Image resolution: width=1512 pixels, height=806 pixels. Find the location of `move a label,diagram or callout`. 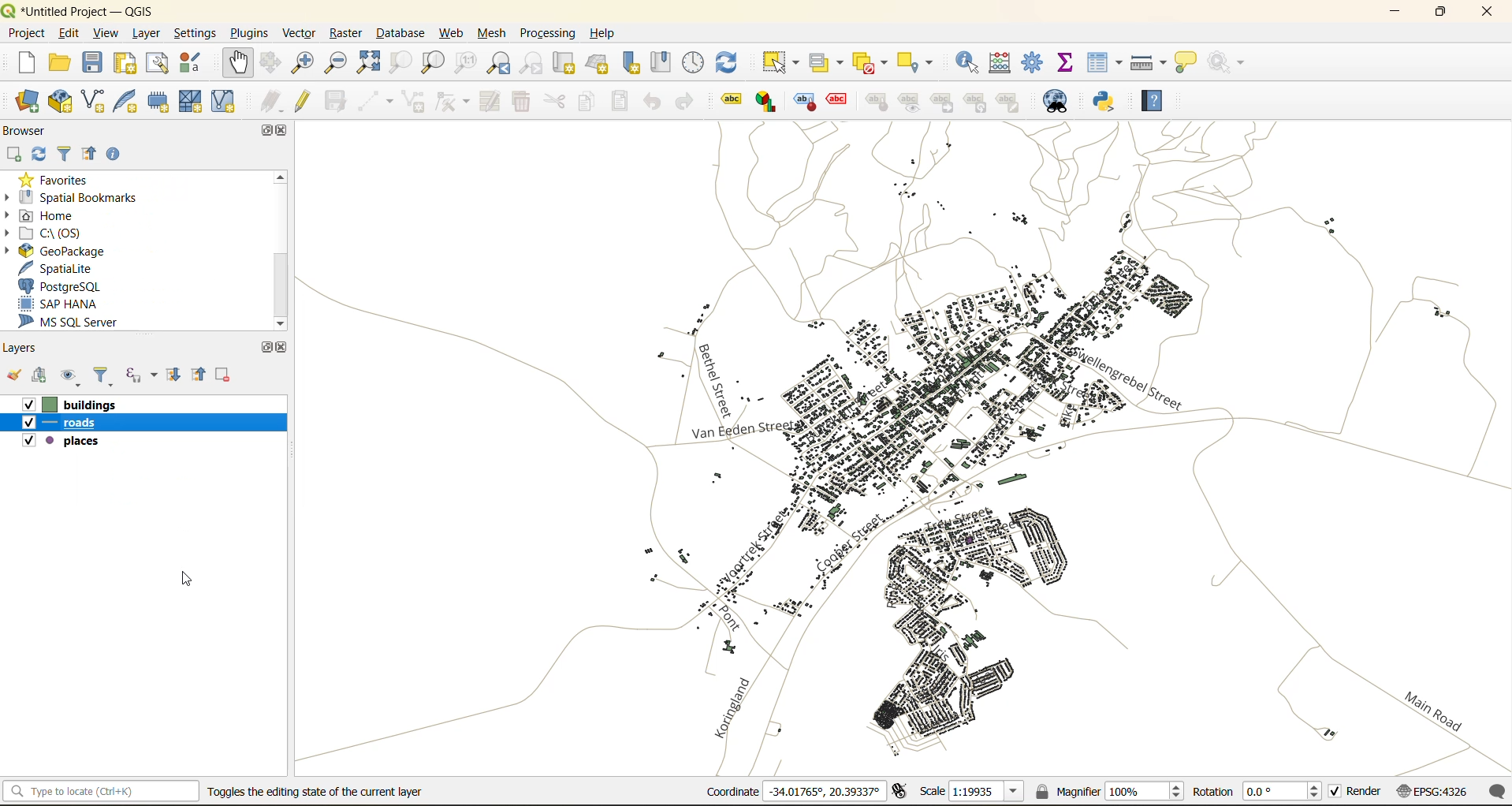

move a label,diagram or callout is located at coordinates (944, 102).